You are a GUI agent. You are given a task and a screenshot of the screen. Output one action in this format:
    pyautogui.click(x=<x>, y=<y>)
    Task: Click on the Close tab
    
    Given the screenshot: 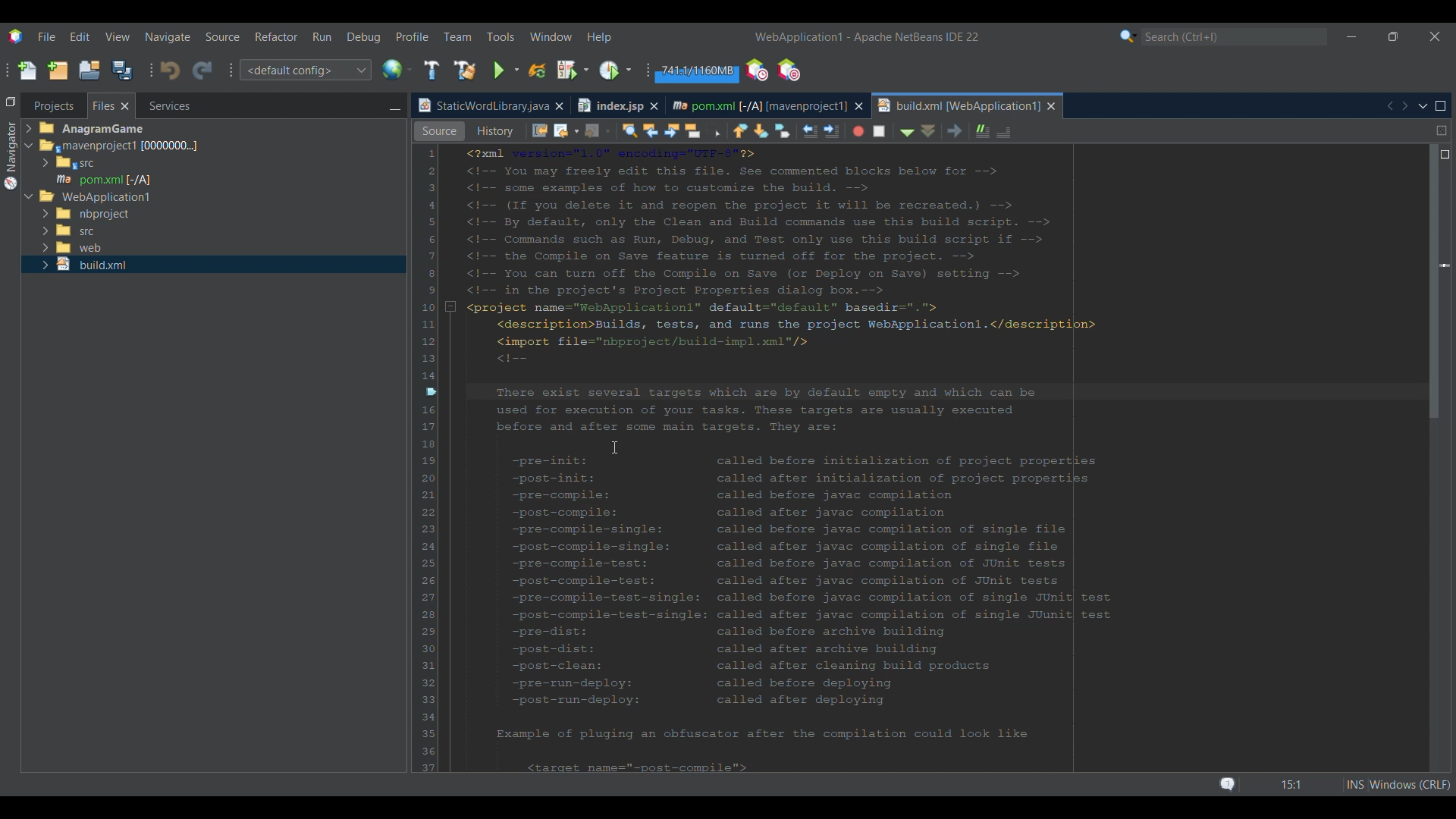 What is the action you would take?
    pyautogui.click(x=559, y=106)
    